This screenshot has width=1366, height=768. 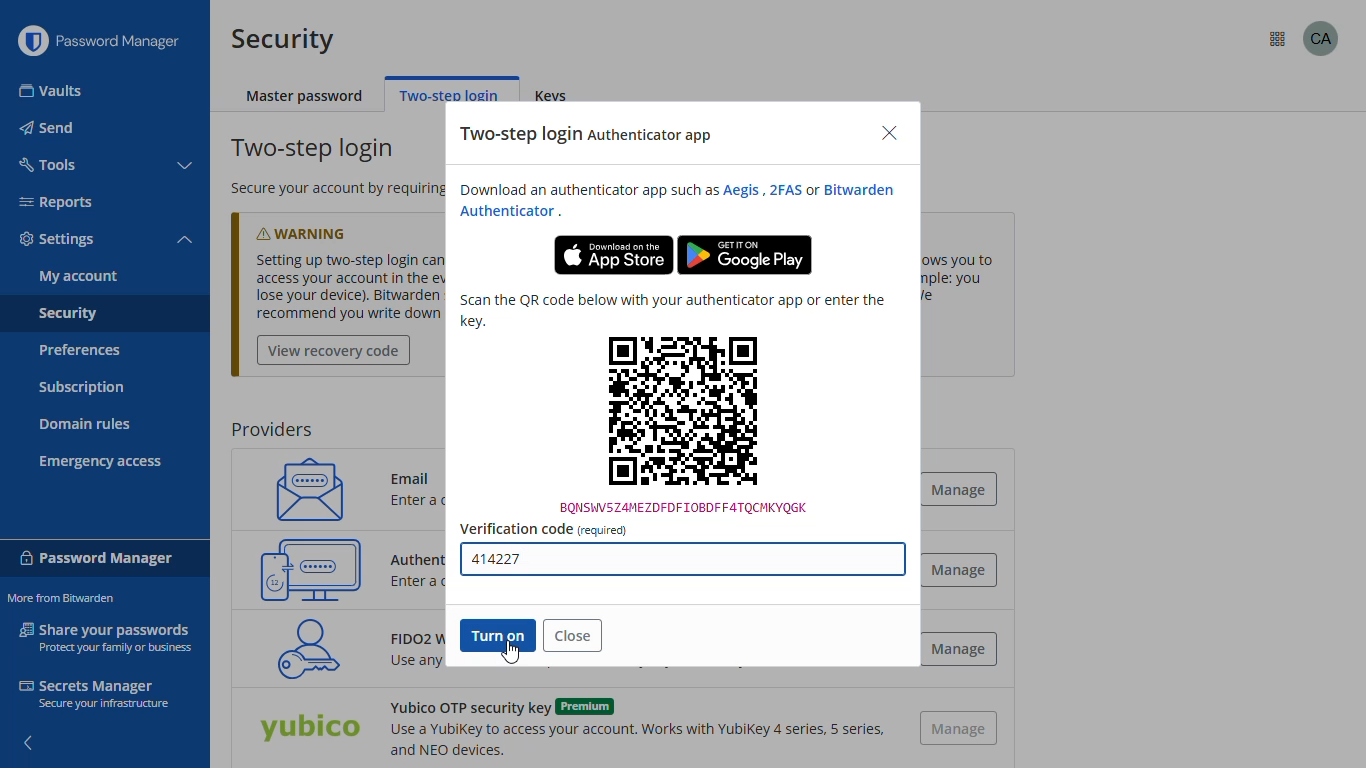 What do you see at coordinates (543, 529) in the screenshot?
I see `verification code (required)` at bounding box center [543, 529].